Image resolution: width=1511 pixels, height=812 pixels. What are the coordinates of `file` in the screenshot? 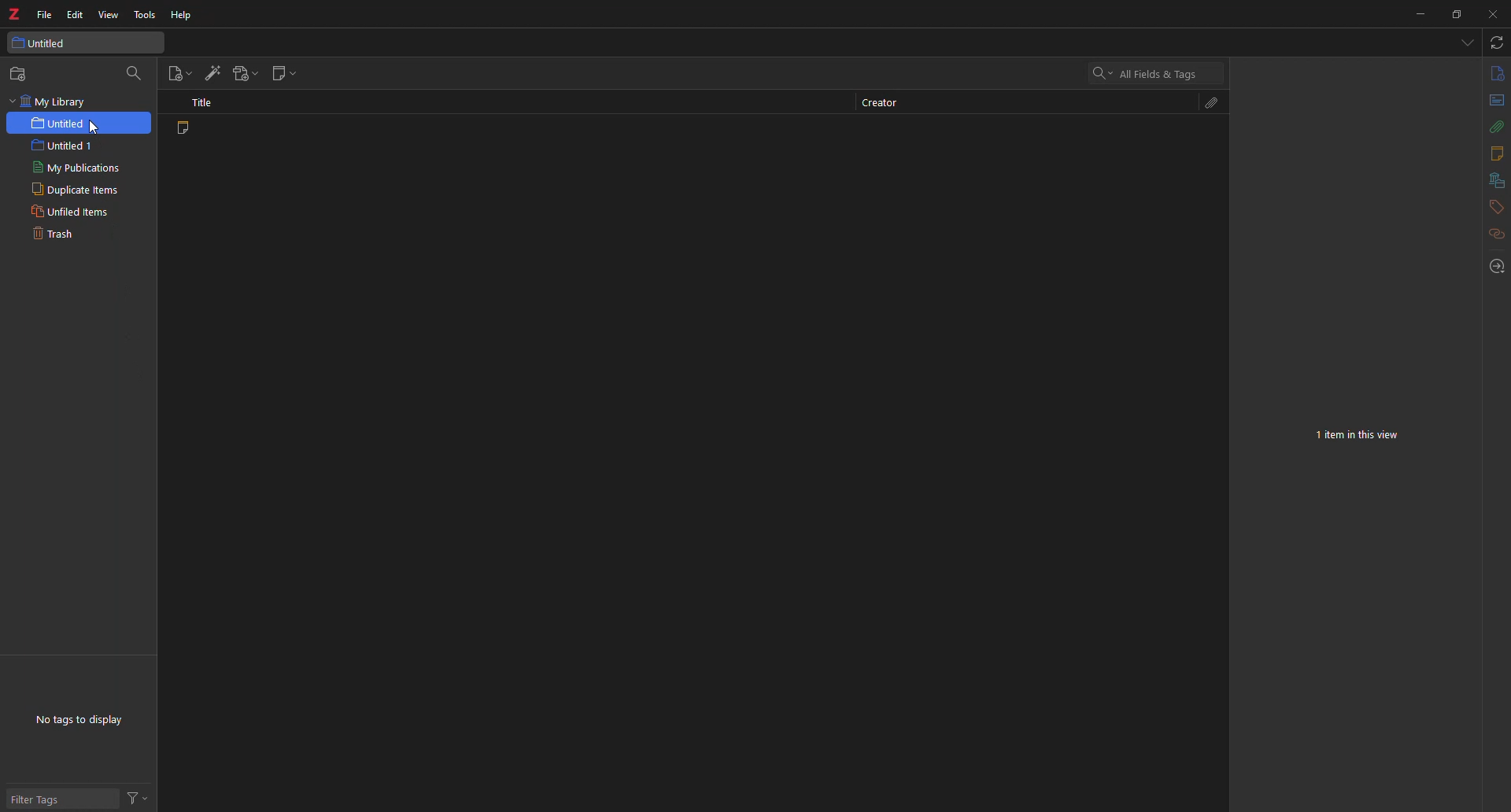 It's located at (39, 14).